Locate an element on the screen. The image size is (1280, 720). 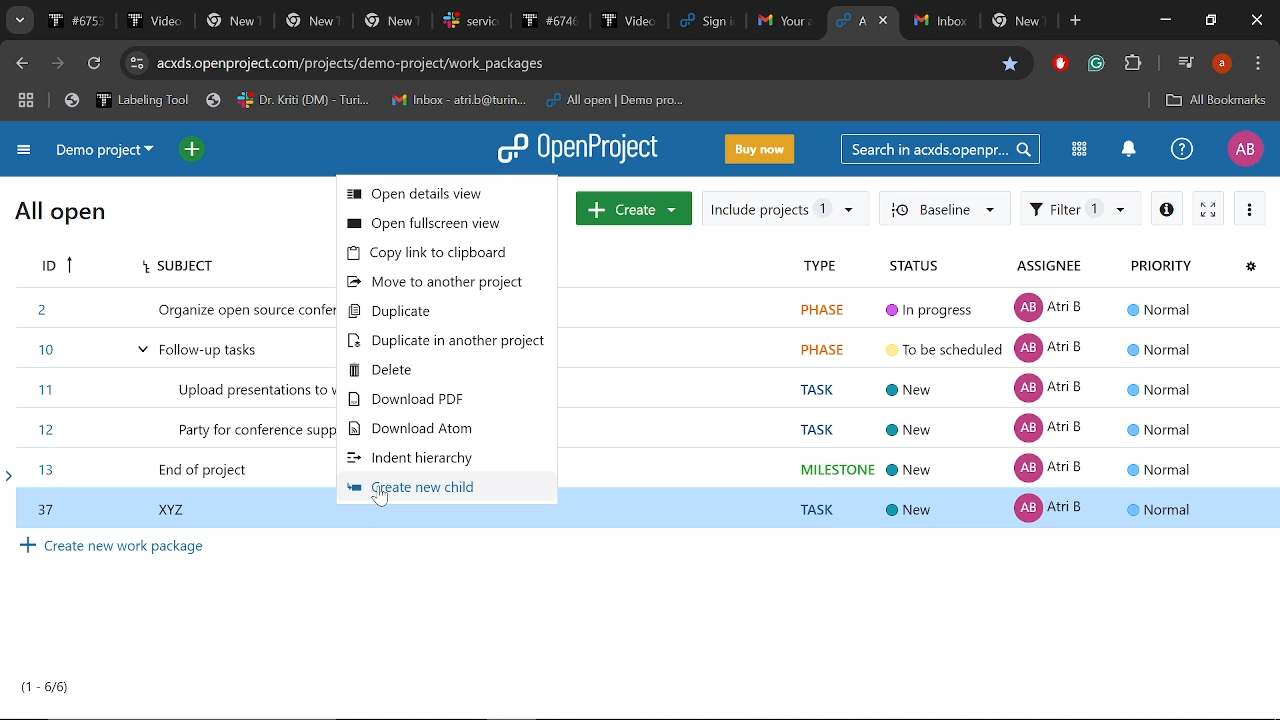
Open quick add menu is located at coordinates (194, 150).